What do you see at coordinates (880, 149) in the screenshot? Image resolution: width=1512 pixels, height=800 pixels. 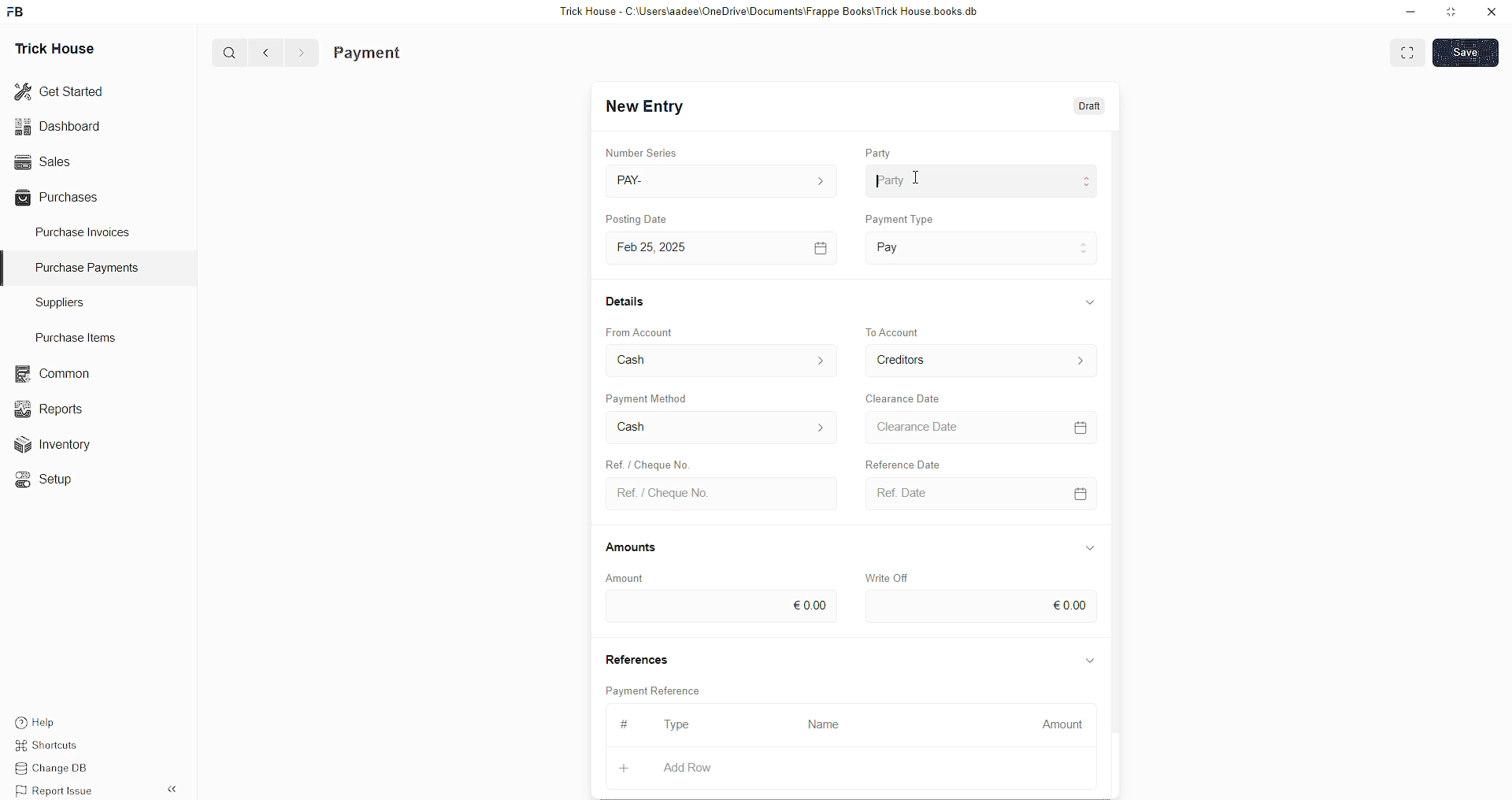 I see `Party` at bounding box center [880, 149].